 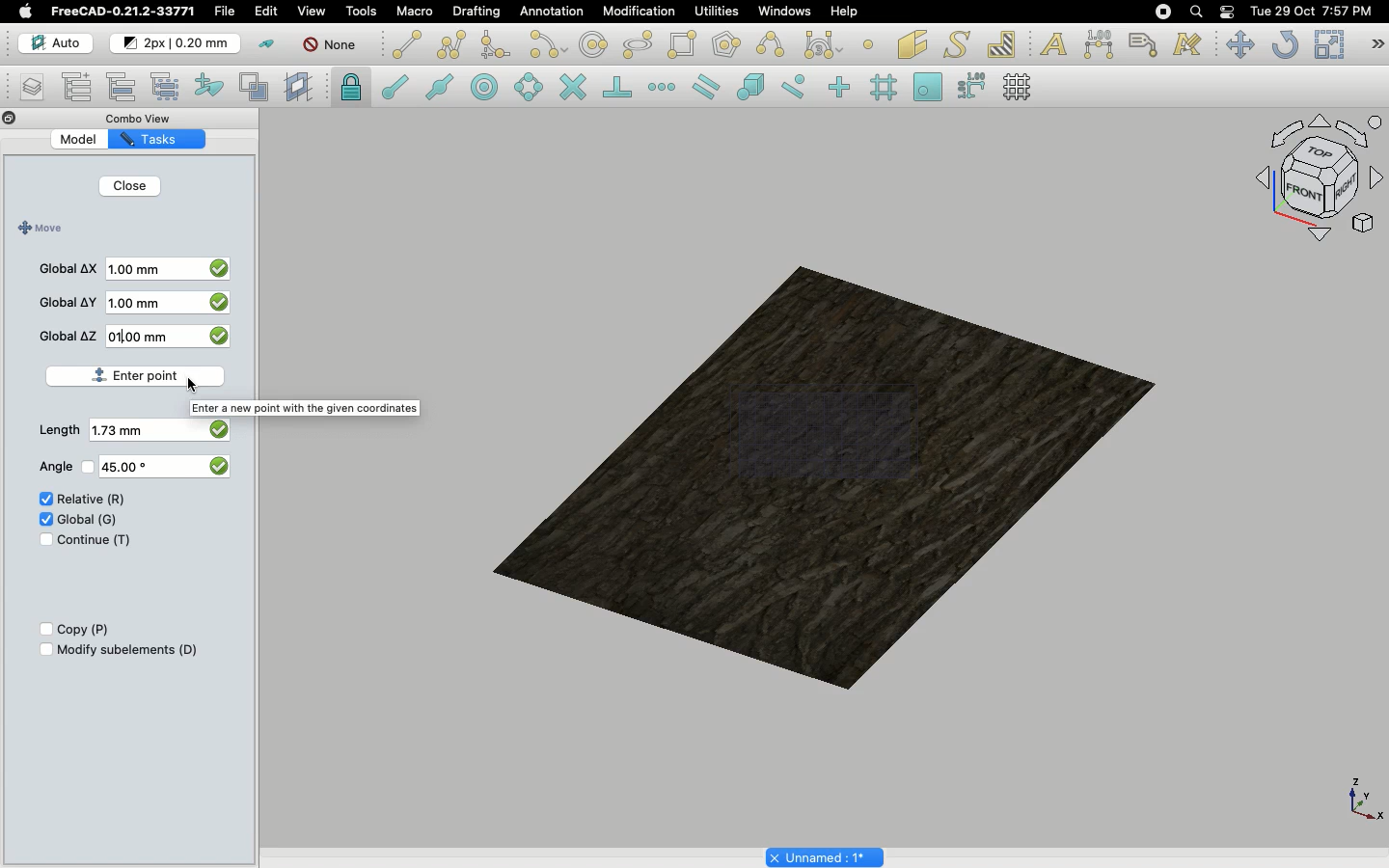 What do you see at coordinates (395, 90) in the screenshot?
I see `Snap endpoint` at bounding box center [395, 90].